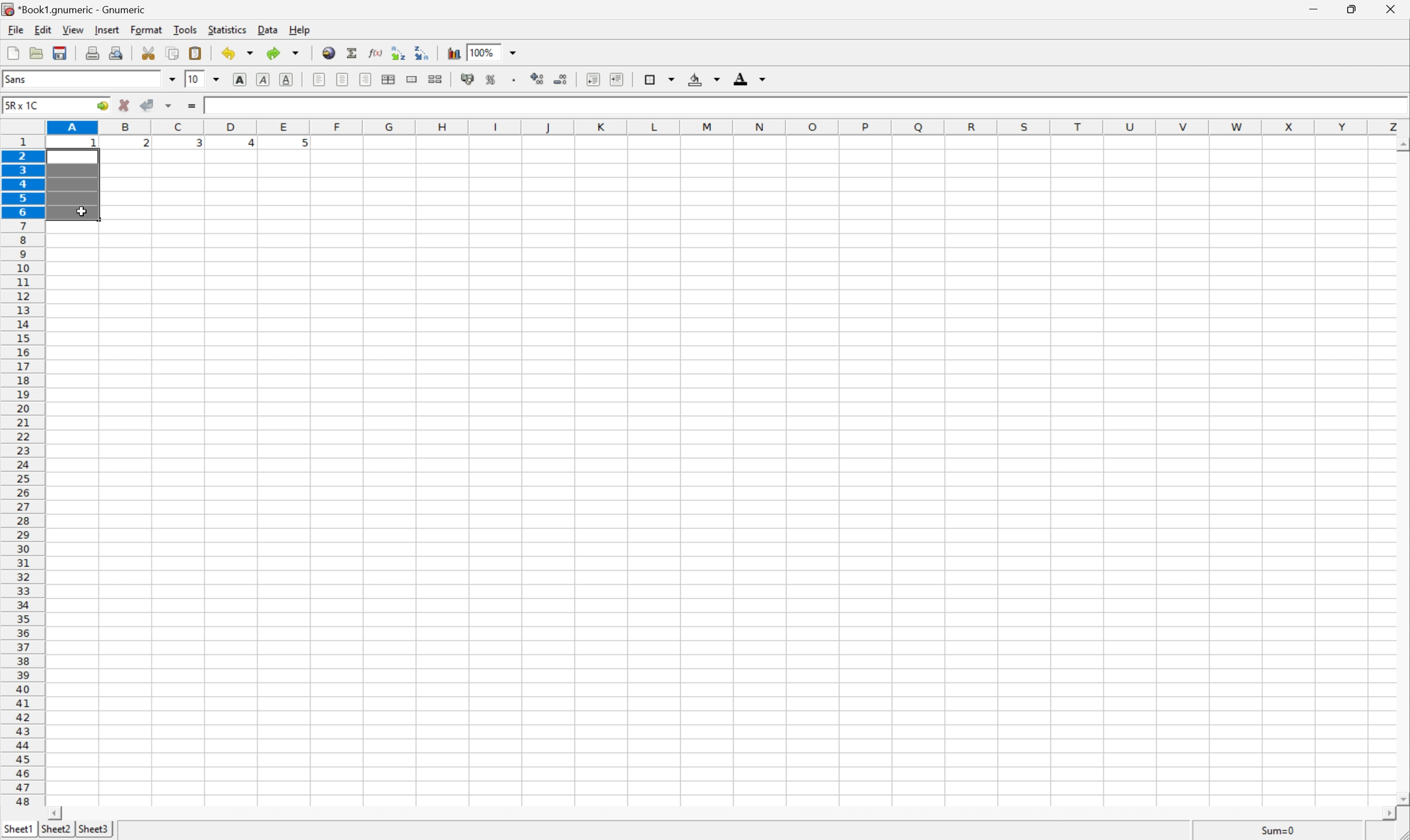 The image size is (1410, 840). What do you see at coordinates (1401, 794) in the screenshot?
I see `scroll down` at bounding box center [1401, 794].